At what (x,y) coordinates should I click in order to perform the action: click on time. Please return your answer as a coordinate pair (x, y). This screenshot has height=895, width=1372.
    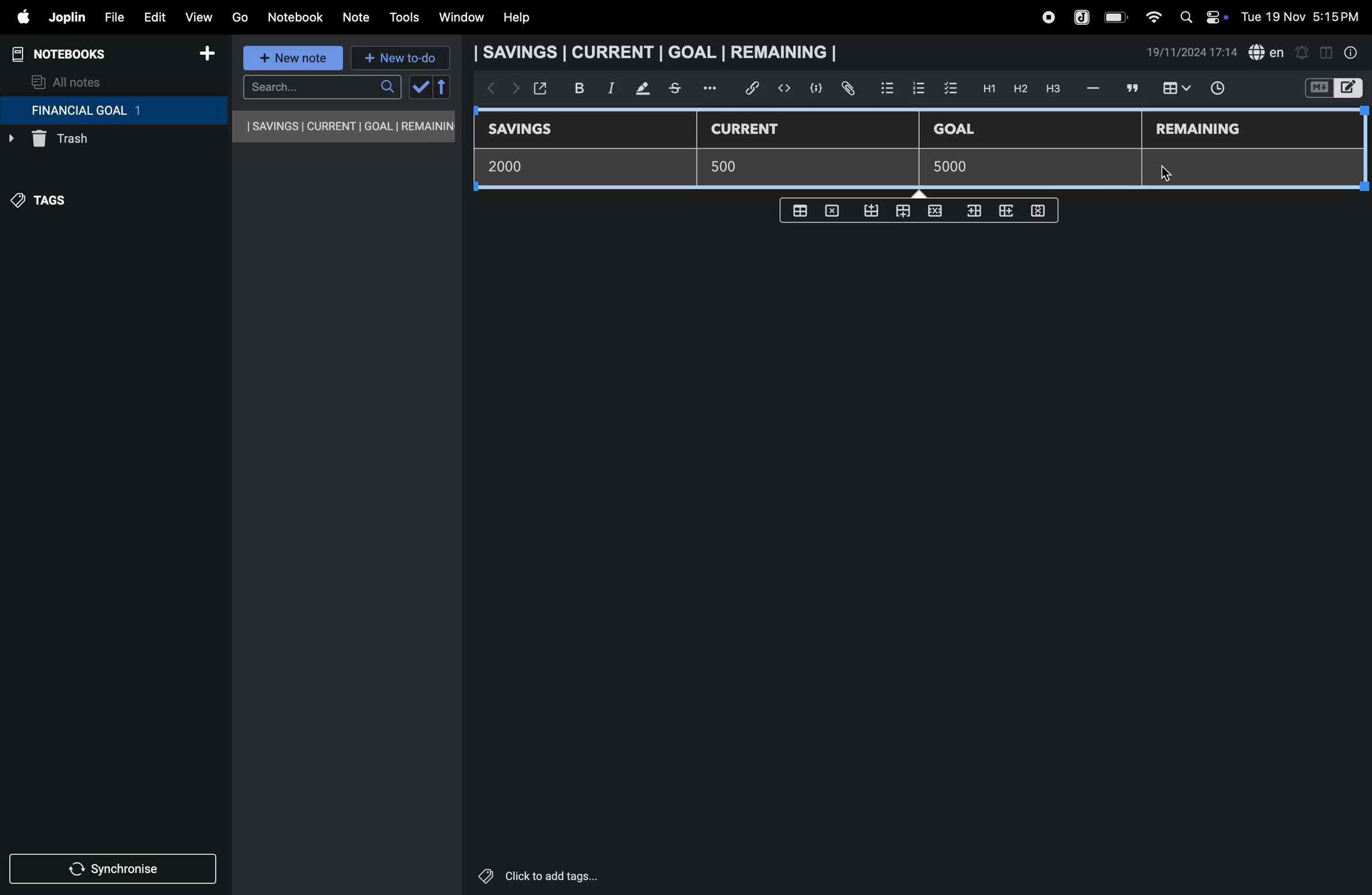
    Looking at the image, I should click on (1225, 89).